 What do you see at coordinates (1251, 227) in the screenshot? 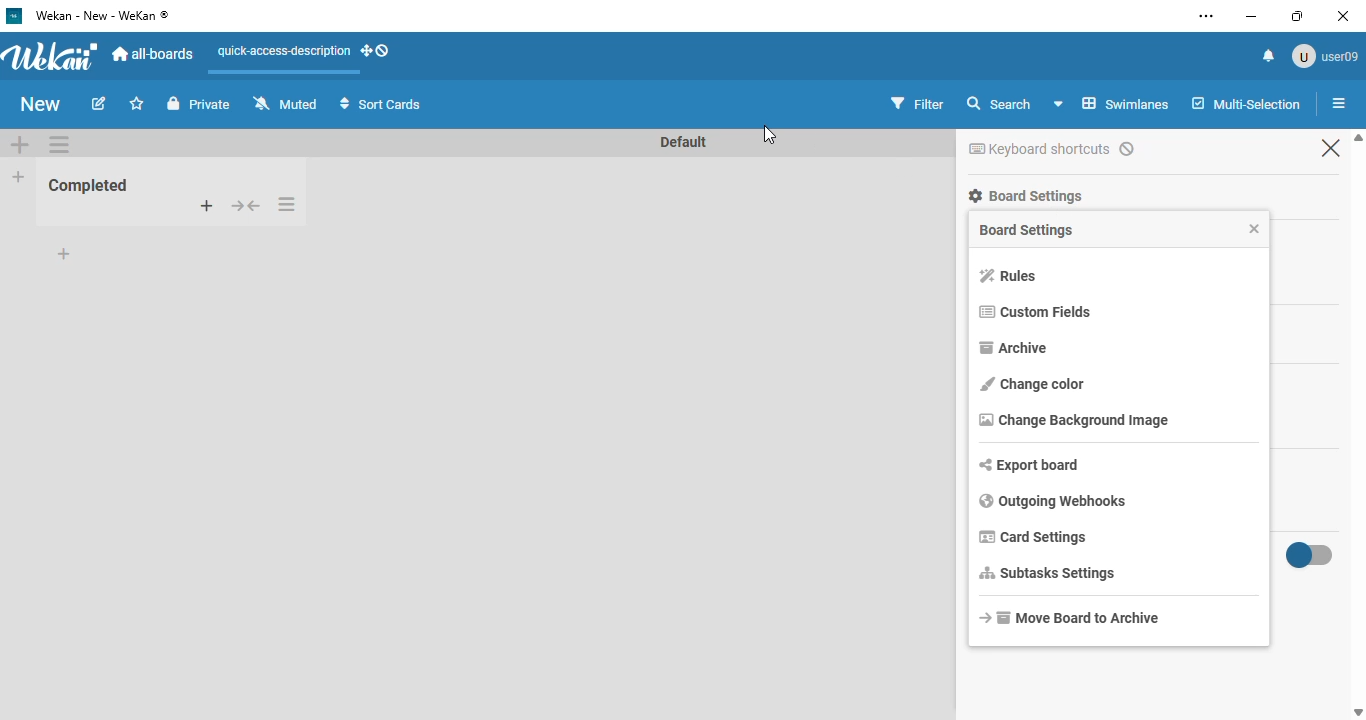
I see `close` at bounding box center [1251, 227].